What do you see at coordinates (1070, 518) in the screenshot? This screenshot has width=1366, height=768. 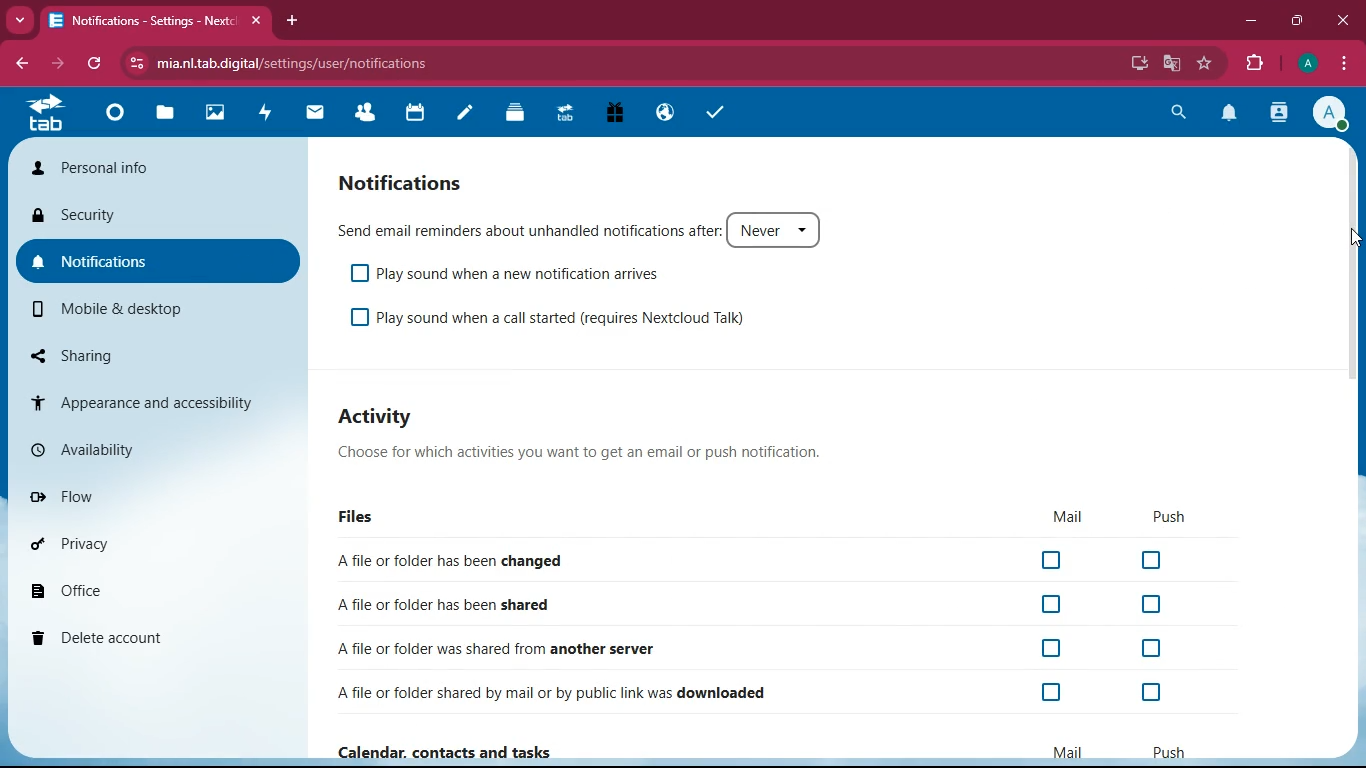 I see `mail` at bounding box center [1070, 518].